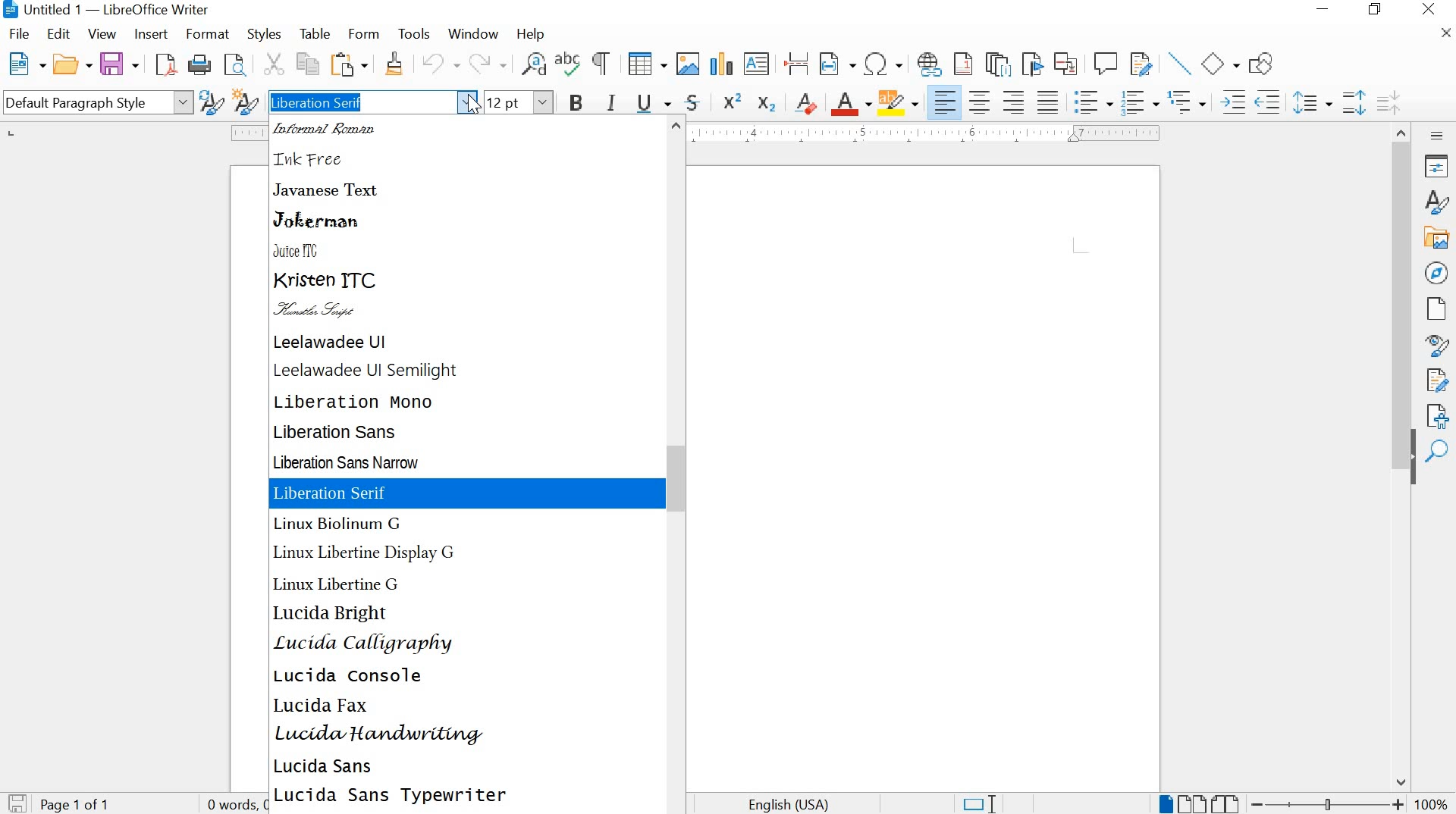 This screenshot has height=814, width=1456. Describe the element at coordinates (358, 401) in the screenshot. I see `LIBERATION MONO` at that location.